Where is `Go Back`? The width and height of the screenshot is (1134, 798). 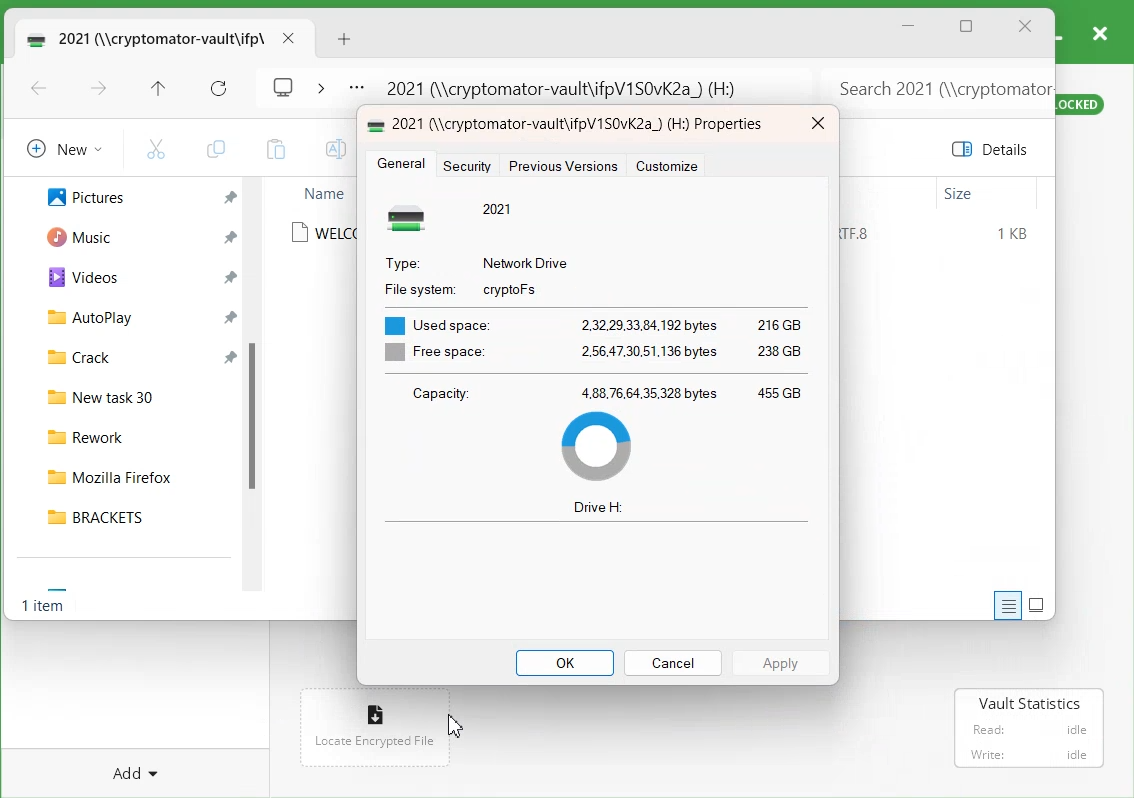 Go Back is located at coordinates (39, 90).